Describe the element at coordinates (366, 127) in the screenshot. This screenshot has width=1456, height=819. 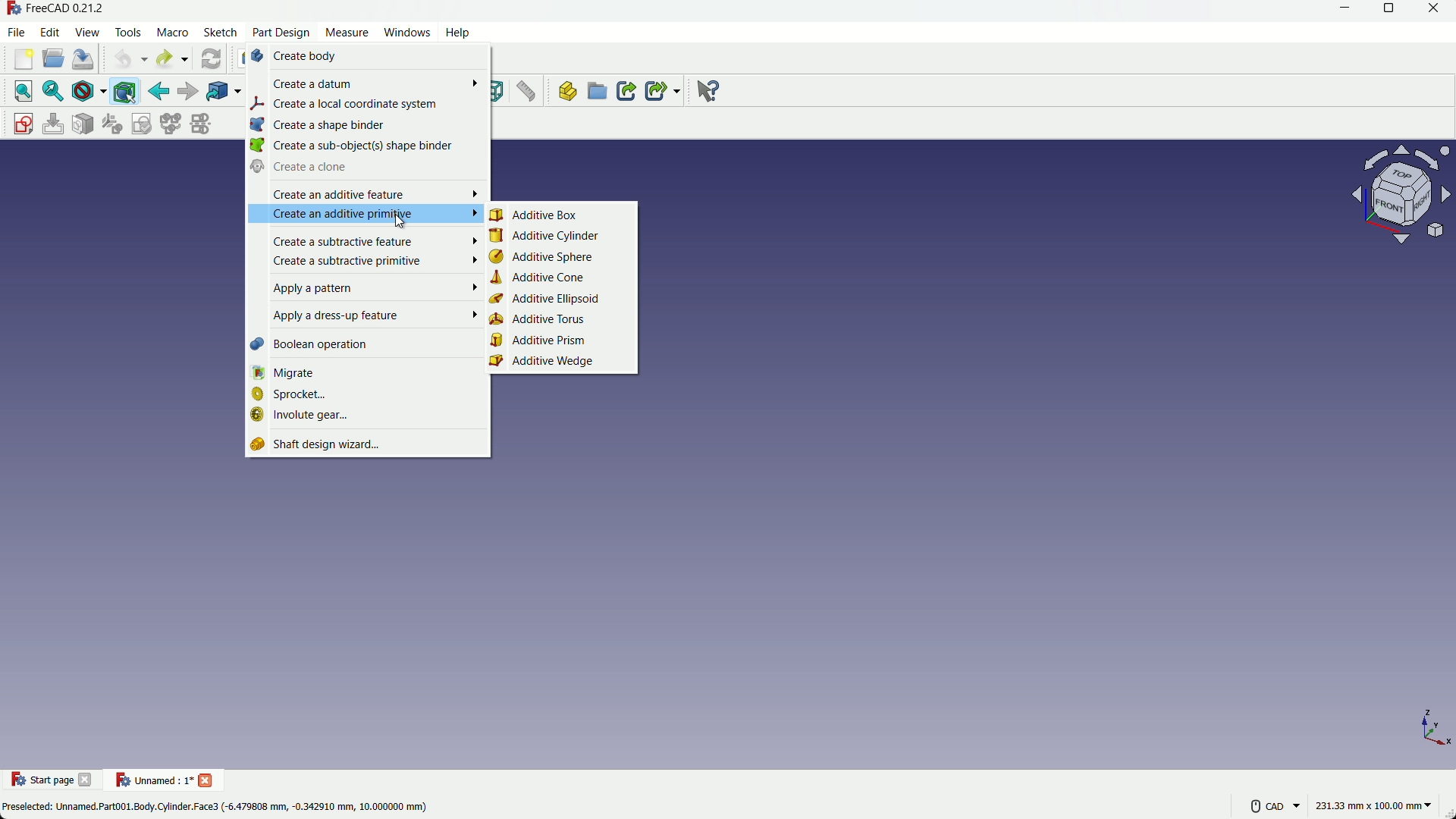
I see `create a shape binder` at that location.